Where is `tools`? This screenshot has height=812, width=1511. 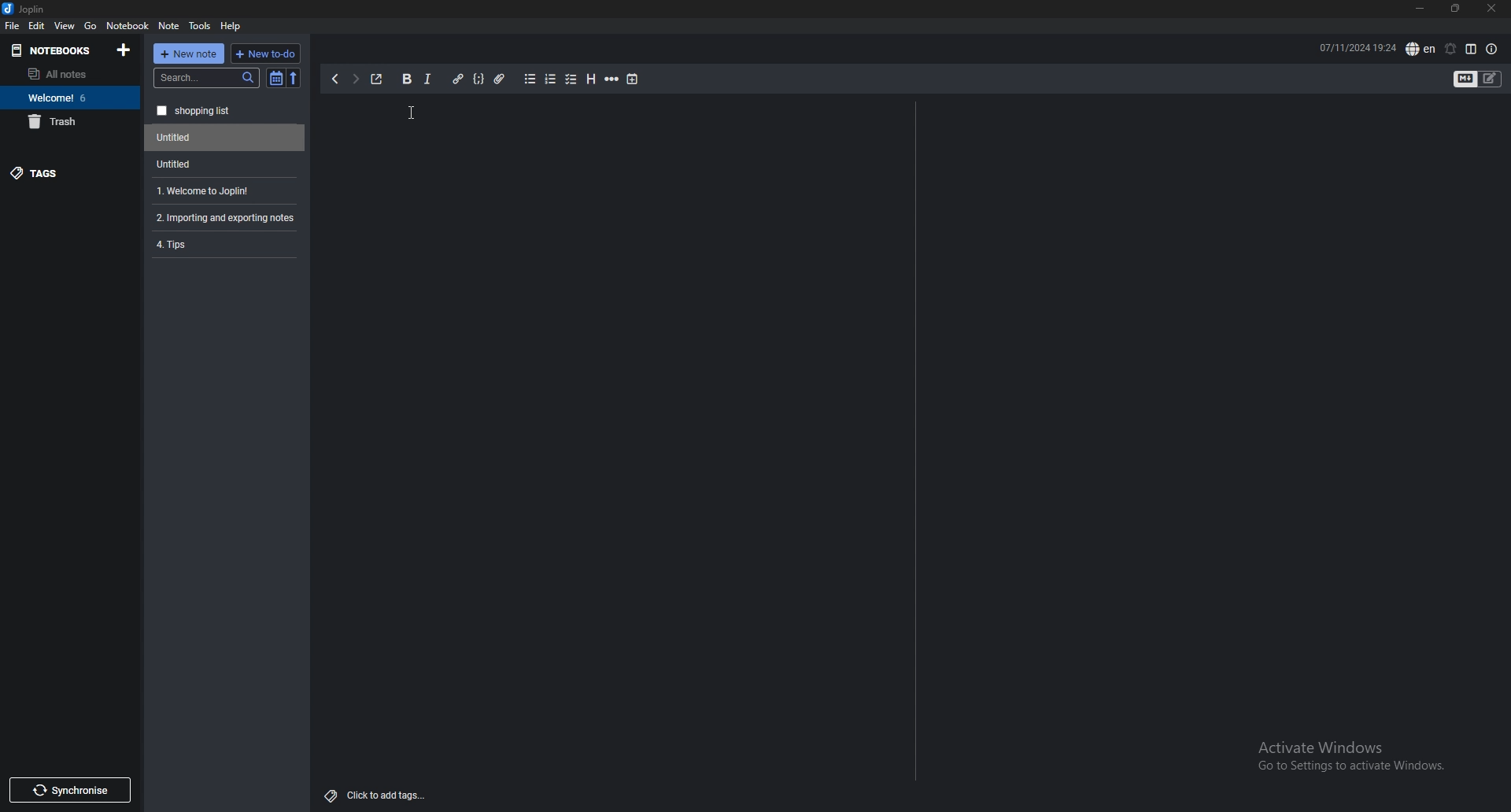
tools is located at coordinates (201, 26).